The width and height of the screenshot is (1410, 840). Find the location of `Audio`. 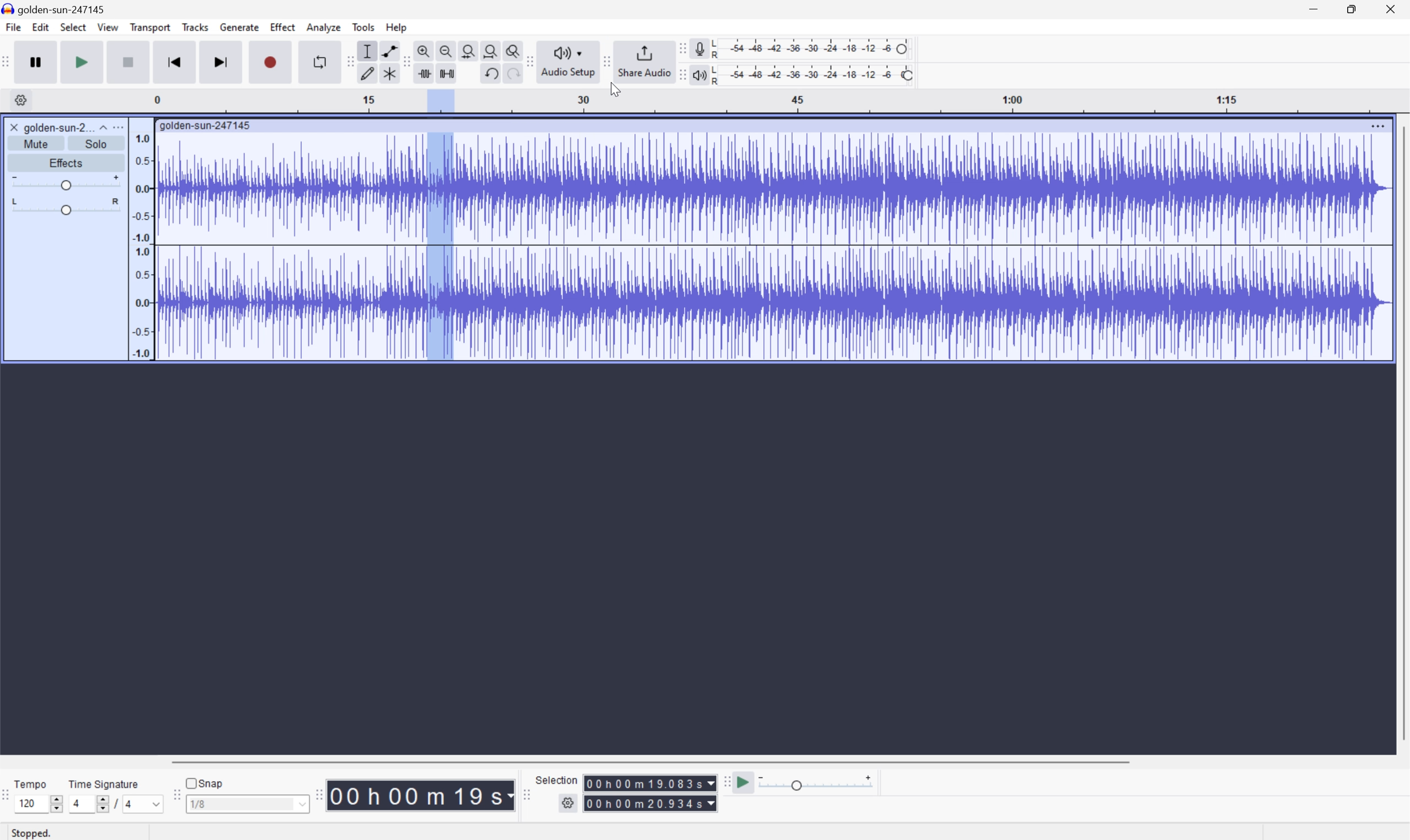

Audio is located at coordinates (770, 244).